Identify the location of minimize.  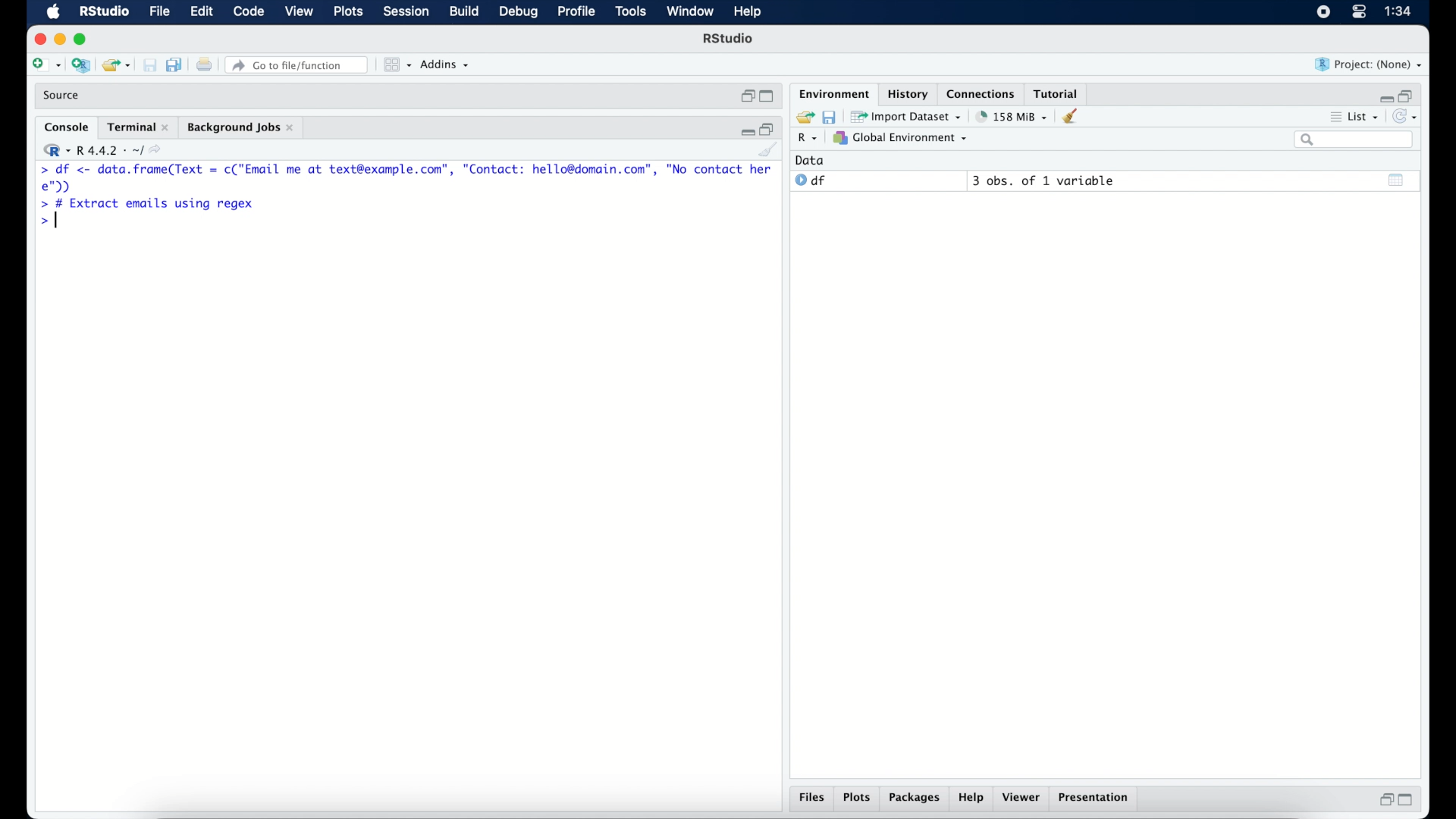
(1386, 96).